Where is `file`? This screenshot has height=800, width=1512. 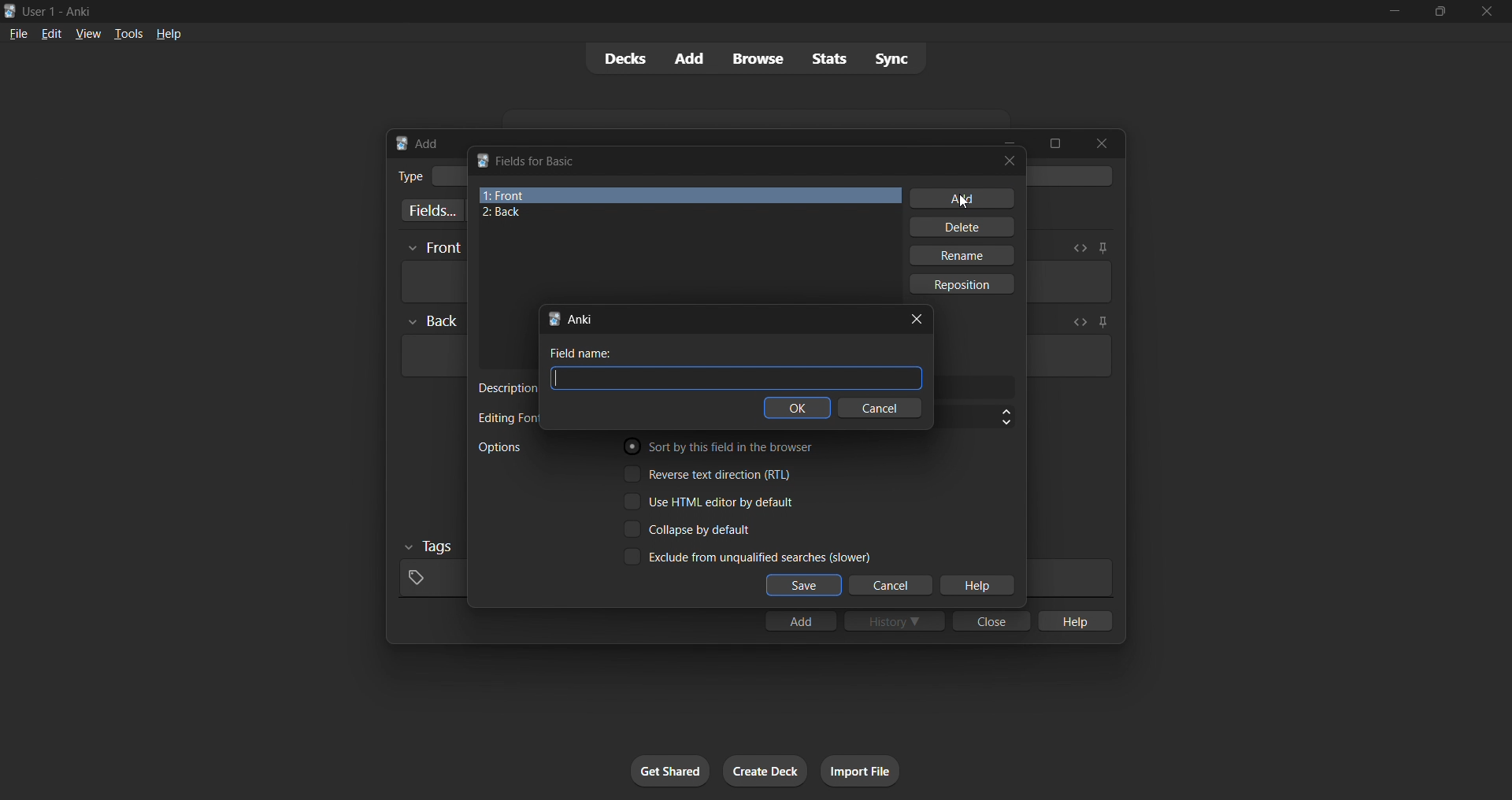
file is located at coordinates (18, 32).